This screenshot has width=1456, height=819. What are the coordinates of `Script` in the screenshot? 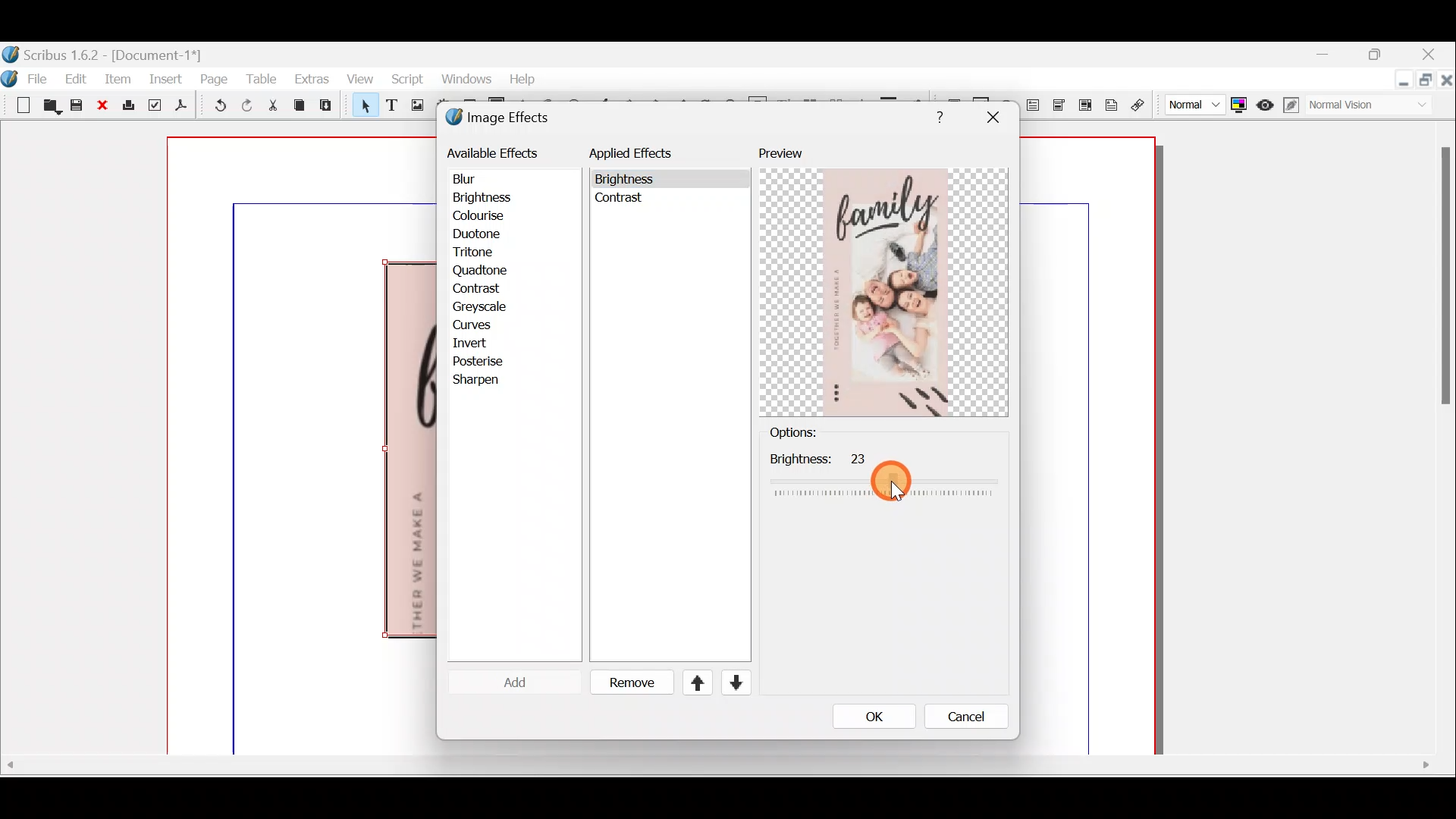 It's located at (404, 81).